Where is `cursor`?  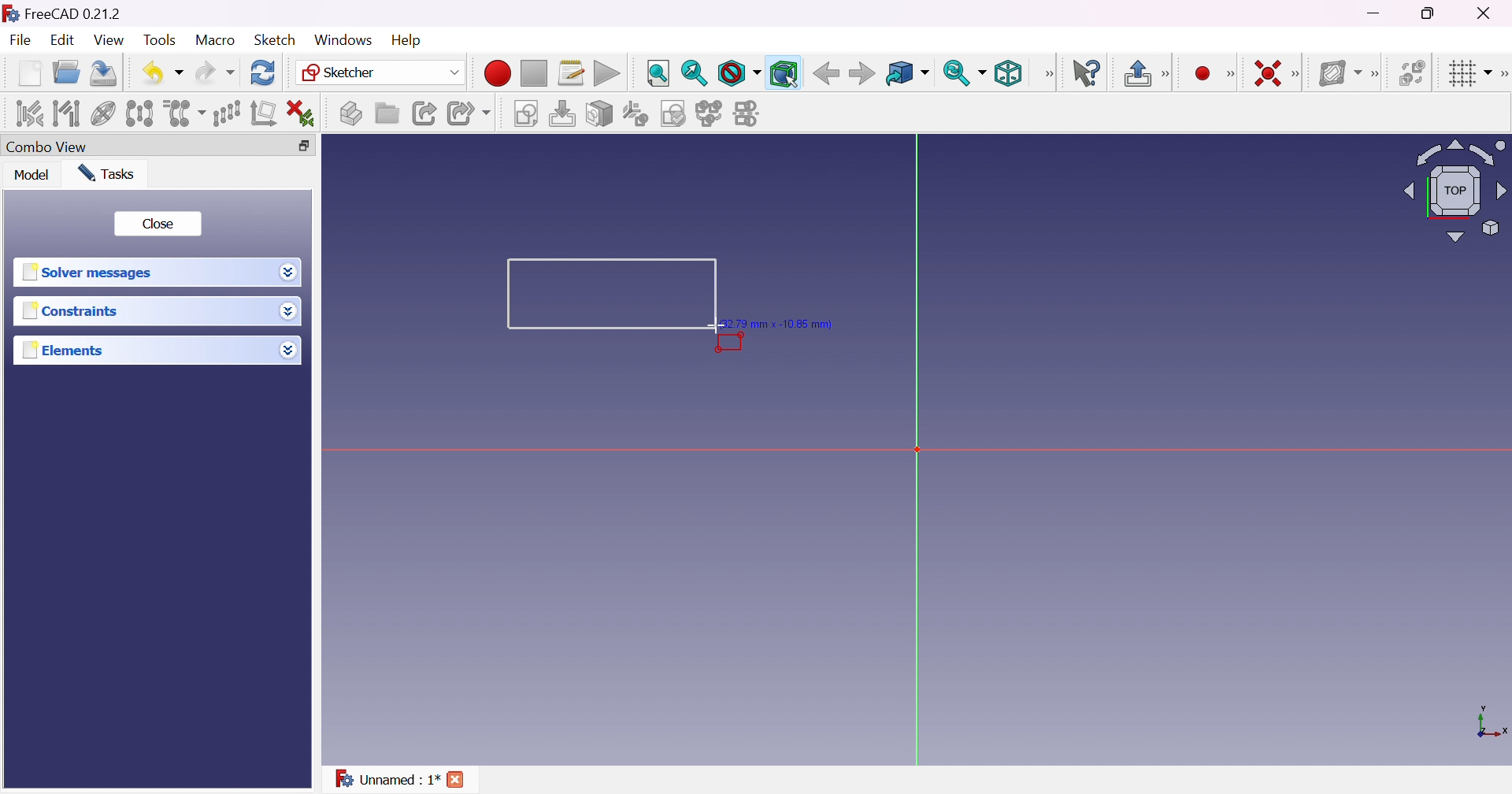 cursor is located at coordinates (717, 327).